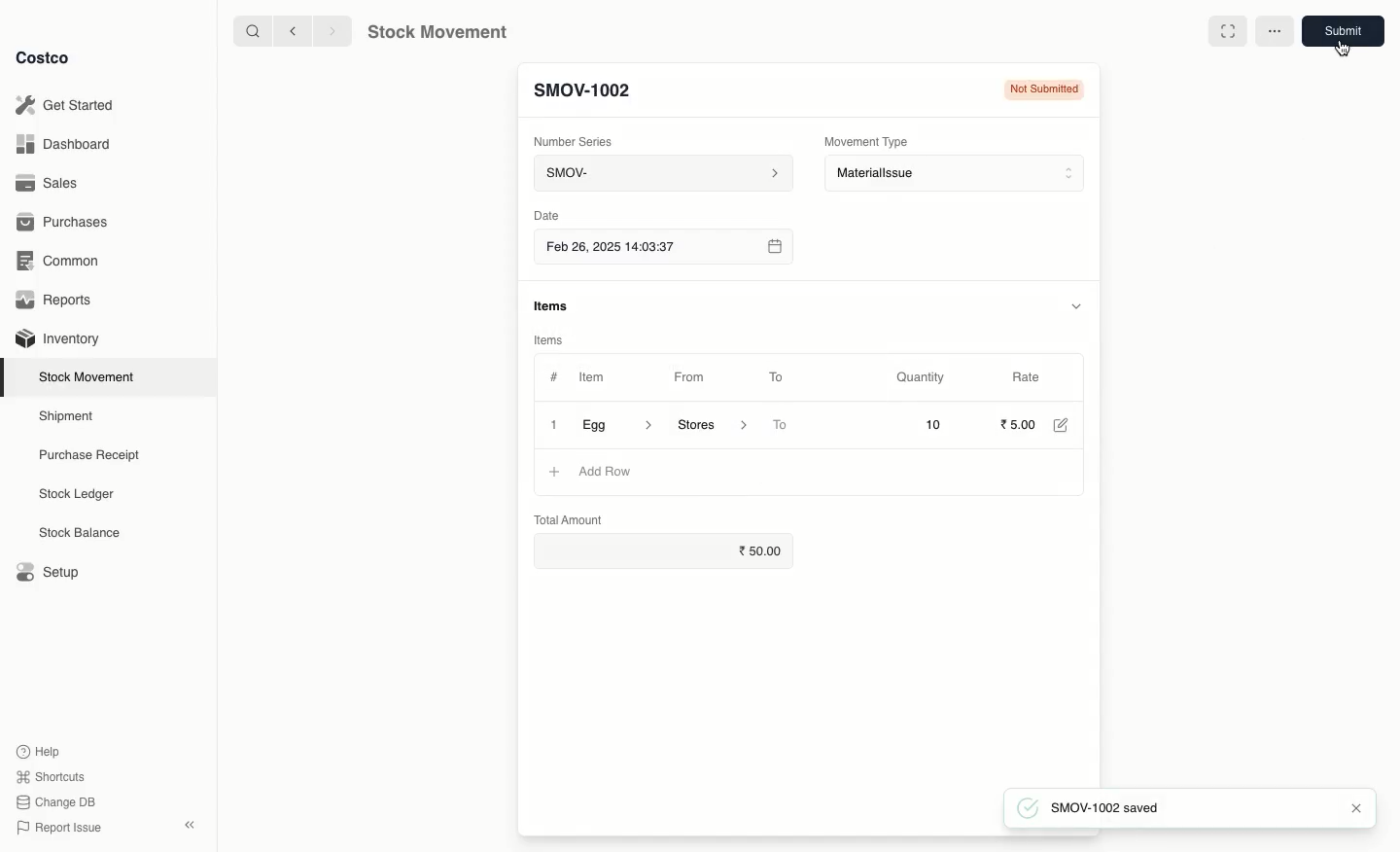 The width and height of the screenshot is (1400, 852). I want to click on collapse, so click(189, 824).